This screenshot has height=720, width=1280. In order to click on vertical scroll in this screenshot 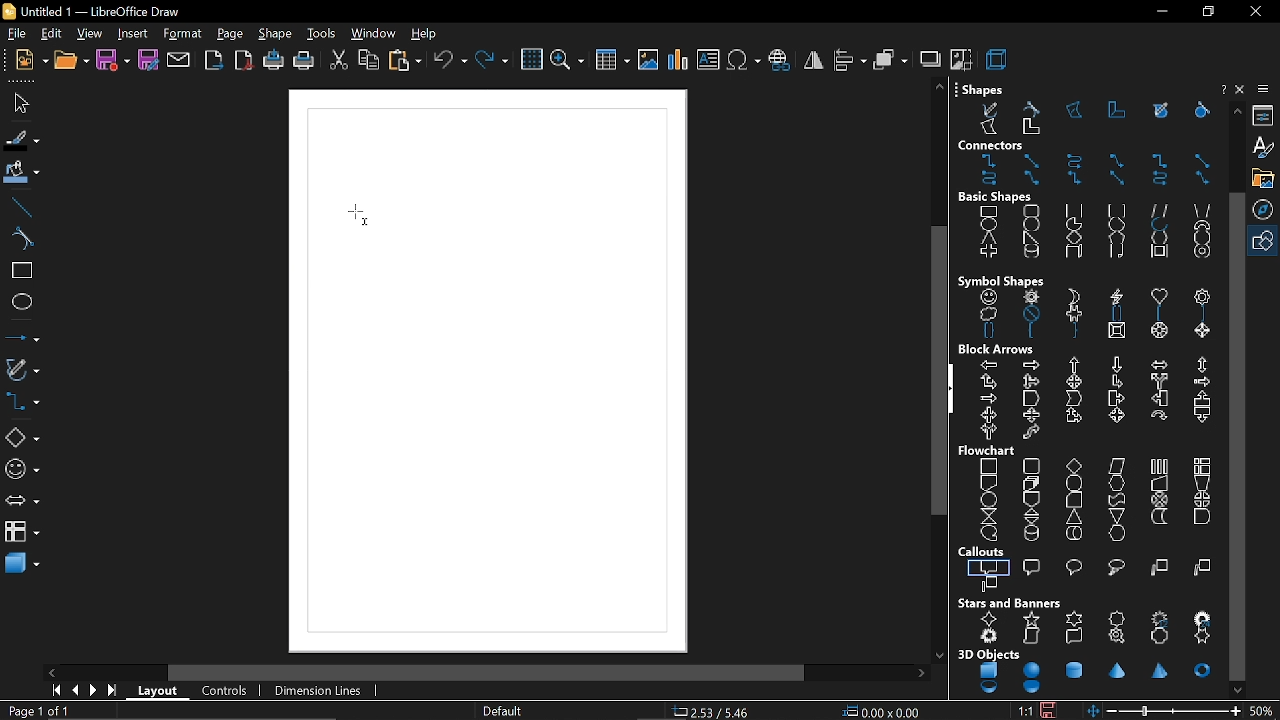, I will do `click(1031, 637)`.